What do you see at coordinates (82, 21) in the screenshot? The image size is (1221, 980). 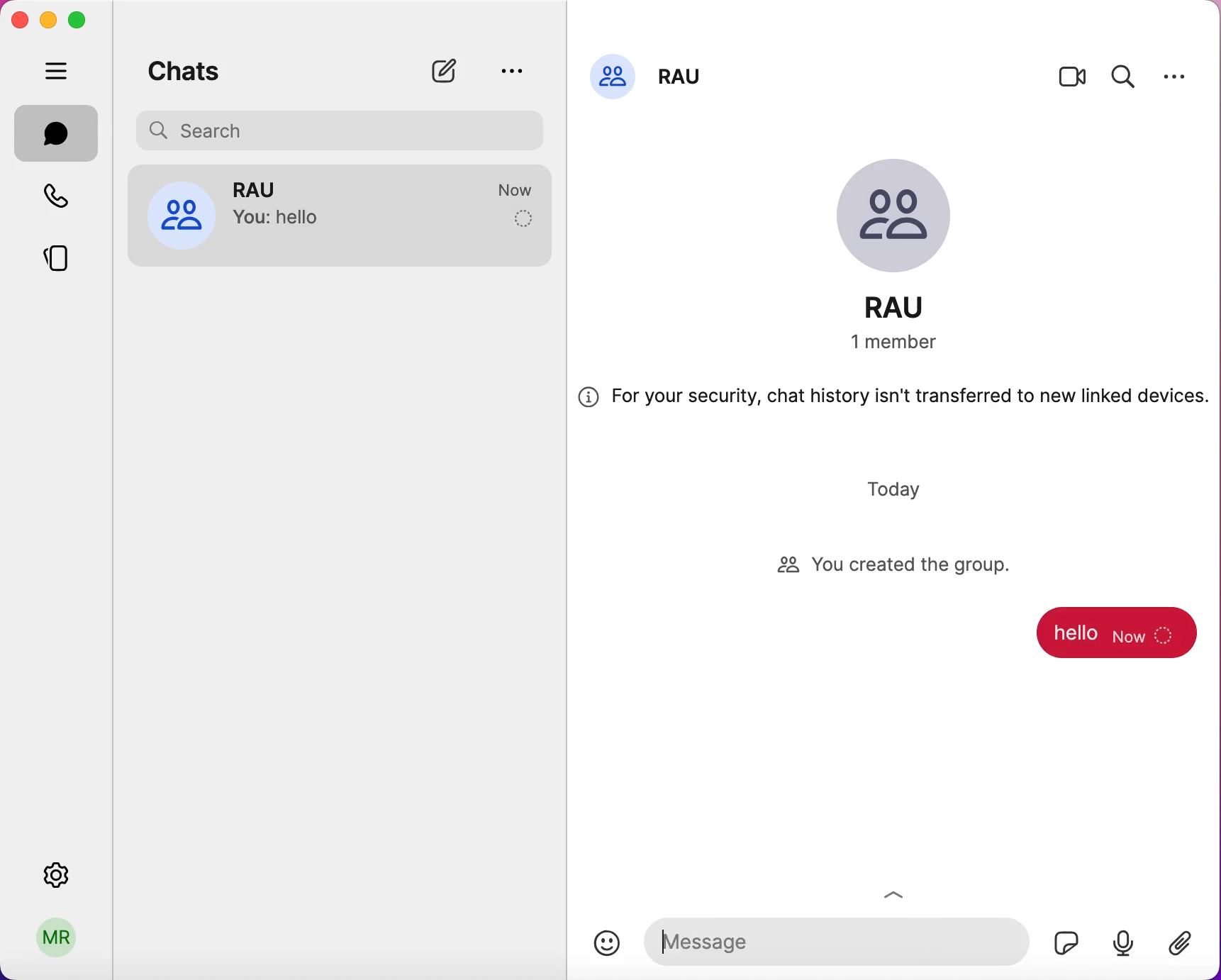 I see `maximize` at bounding box center [82, 21].